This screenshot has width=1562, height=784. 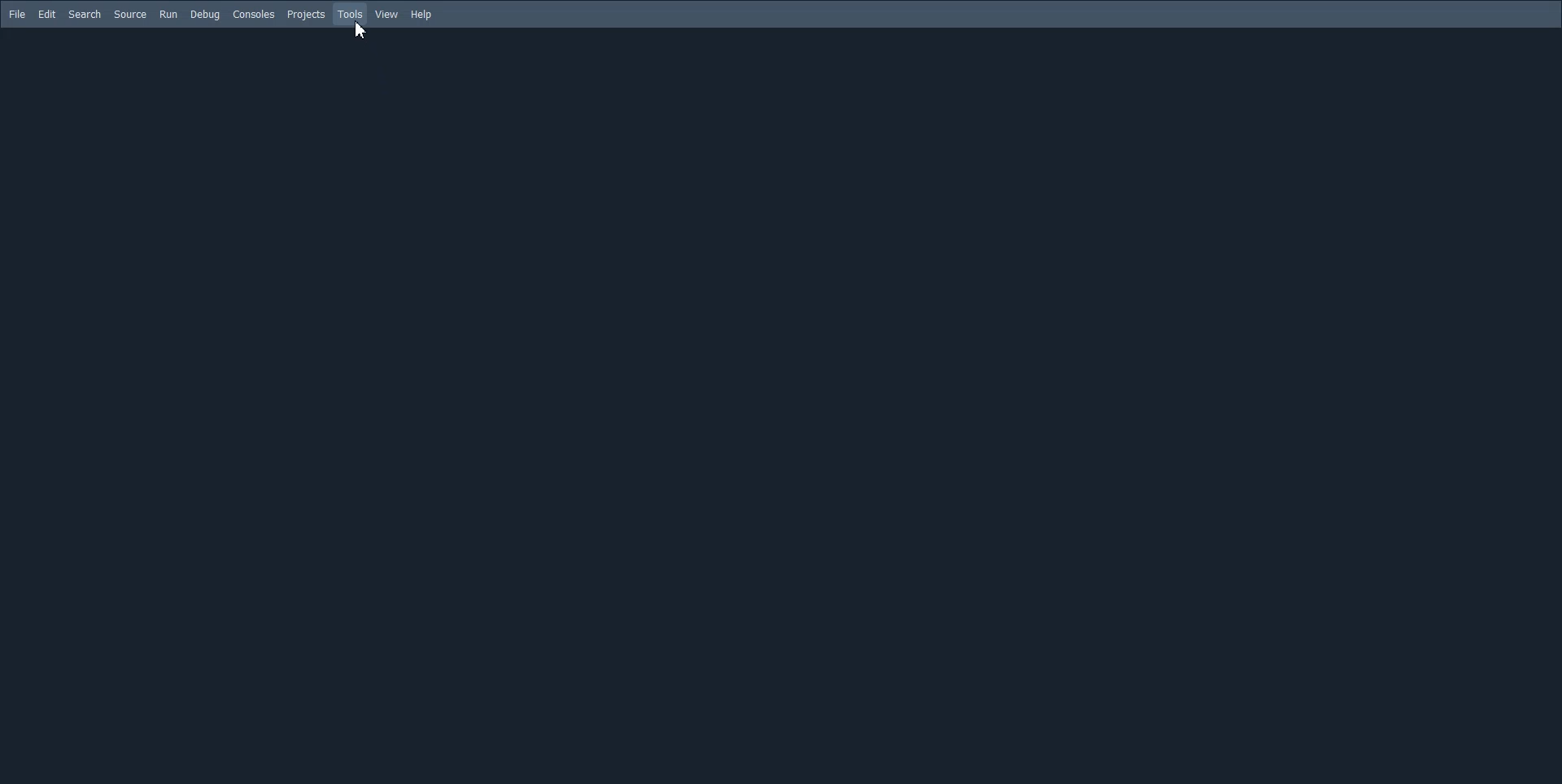 What do you see at coordinates (168, 15) in the screenshot?
I see `Run` at bounding box center [168, 15].